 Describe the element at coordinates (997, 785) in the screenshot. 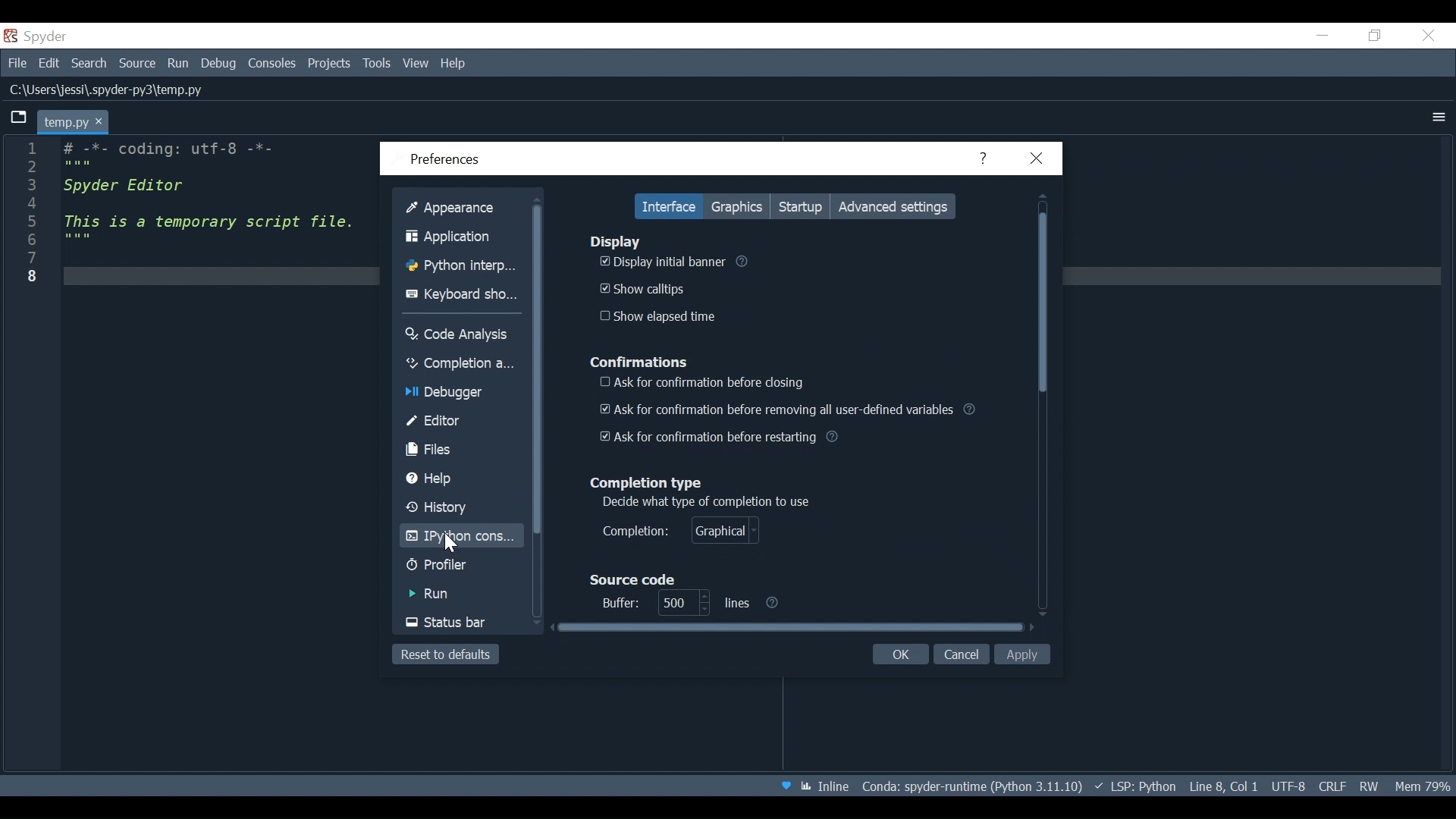

I see `Conda Environment Indicator` at that location.